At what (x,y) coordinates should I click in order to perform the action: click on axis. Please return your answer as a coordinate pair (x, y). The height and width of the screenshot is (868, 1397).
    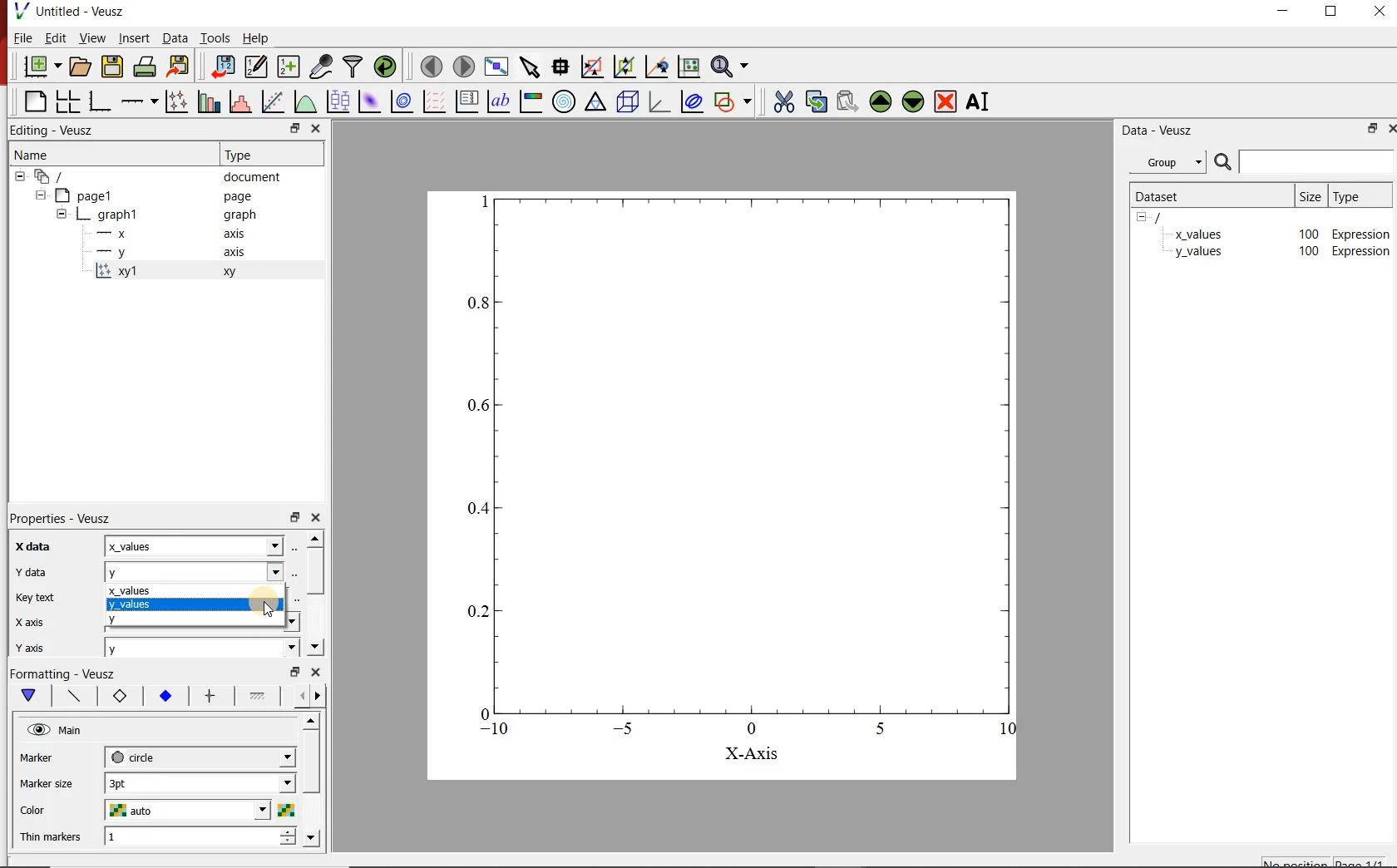
    Looking at the image, I should click on (236, 234).